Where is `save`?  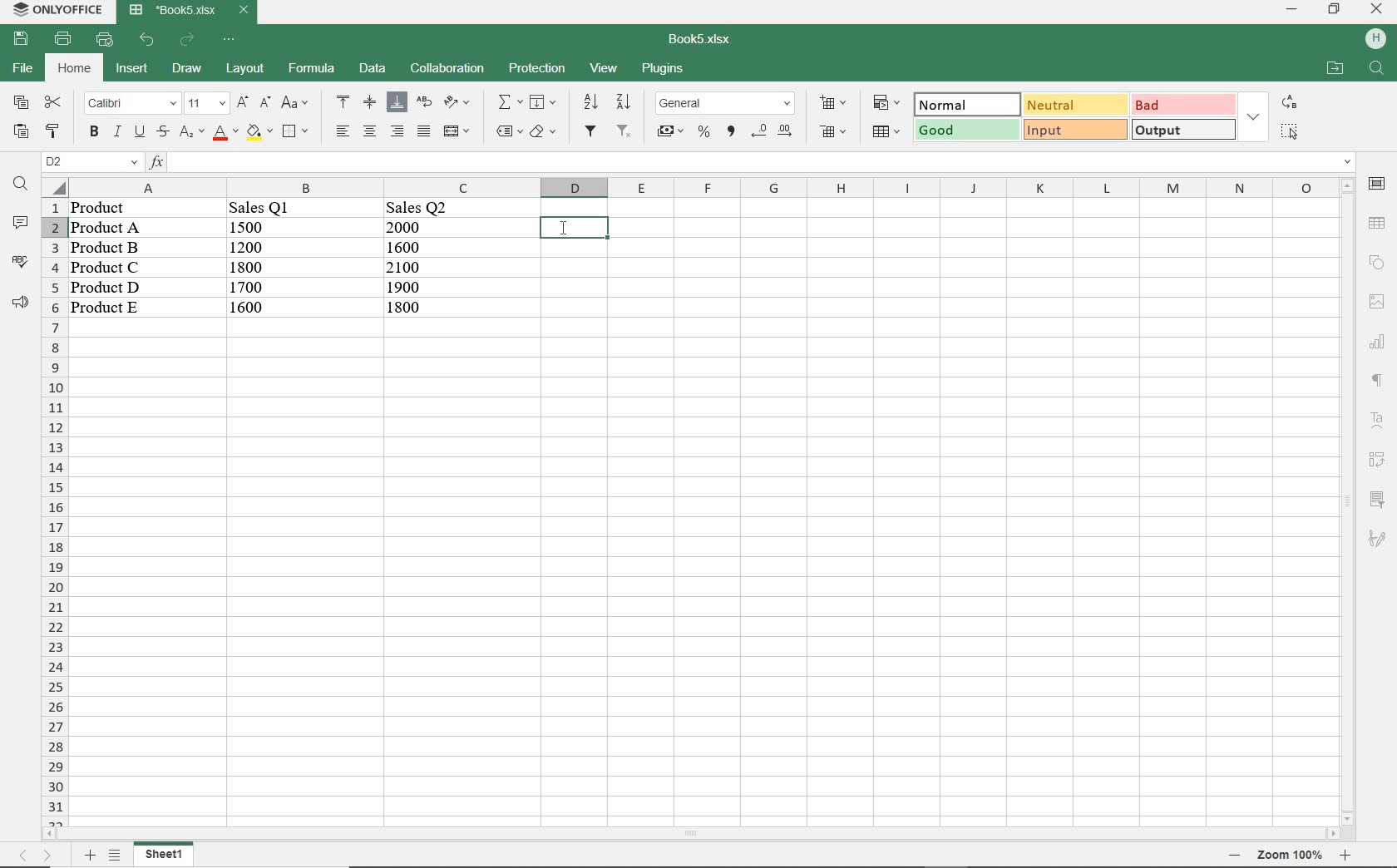 save is located at coordinates (20, 37).